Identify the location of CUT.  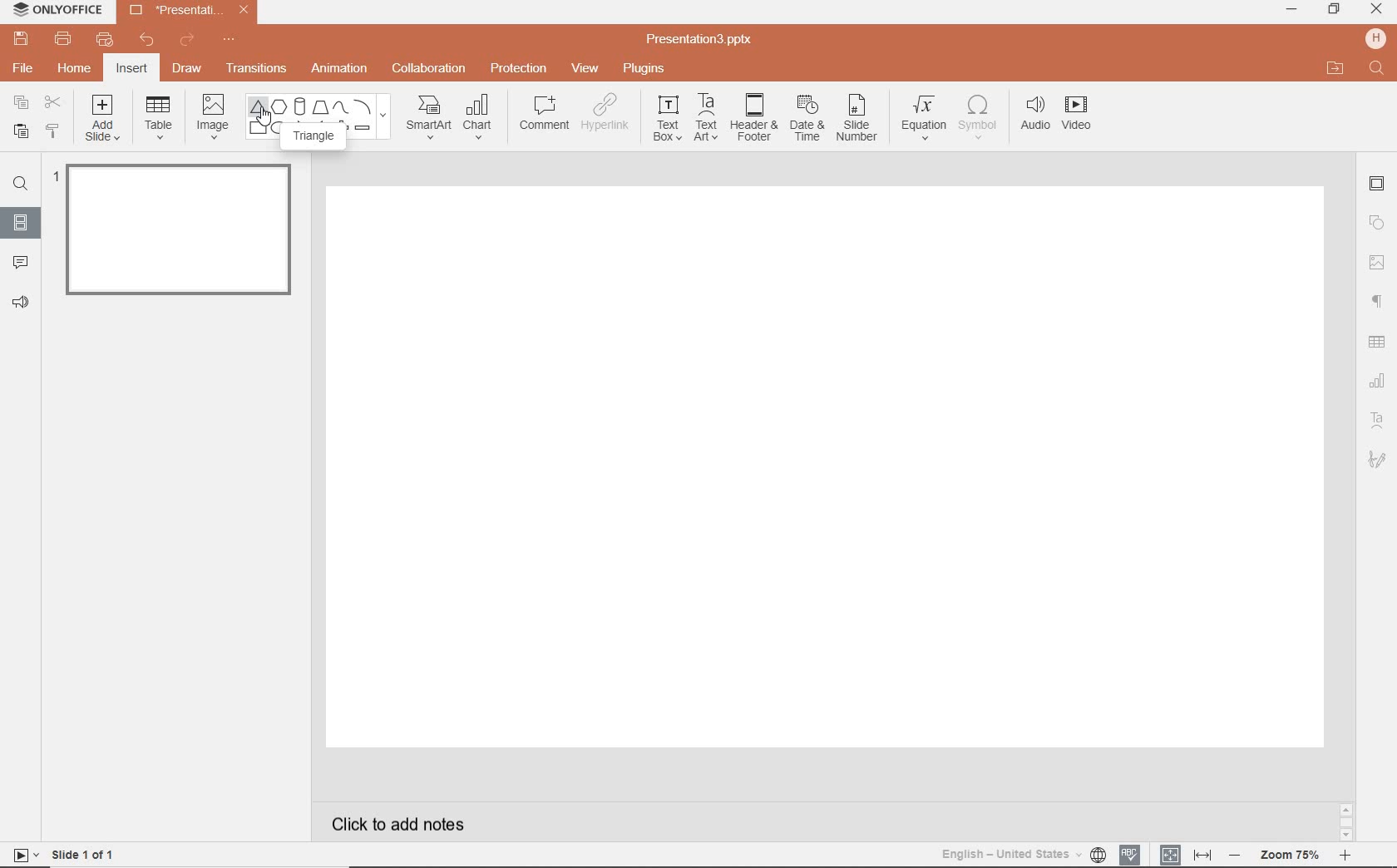
(54, 101).